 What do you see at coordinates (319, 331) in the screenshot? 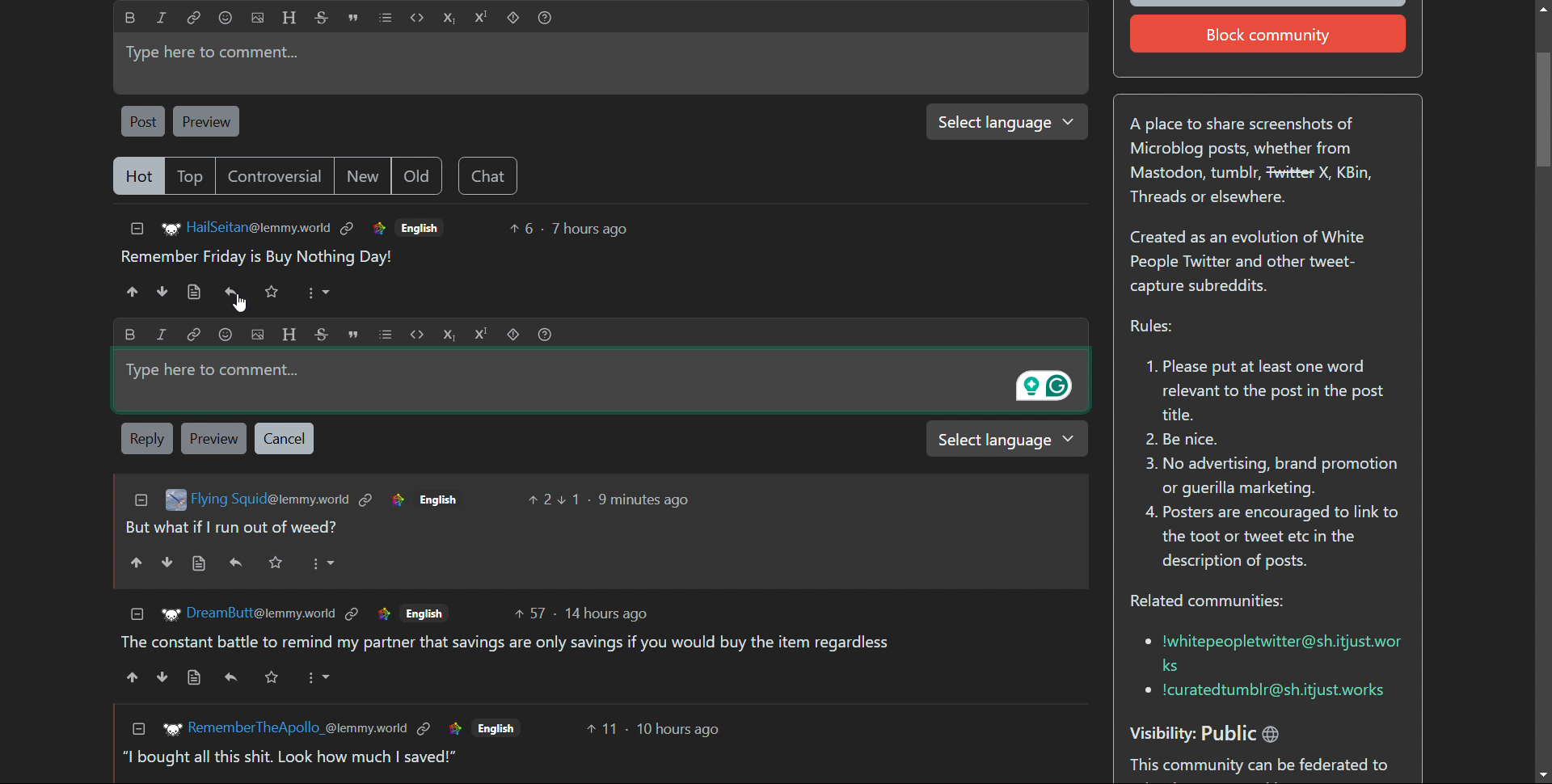
I see `Strikethrough` at bounding box center [319, 331].